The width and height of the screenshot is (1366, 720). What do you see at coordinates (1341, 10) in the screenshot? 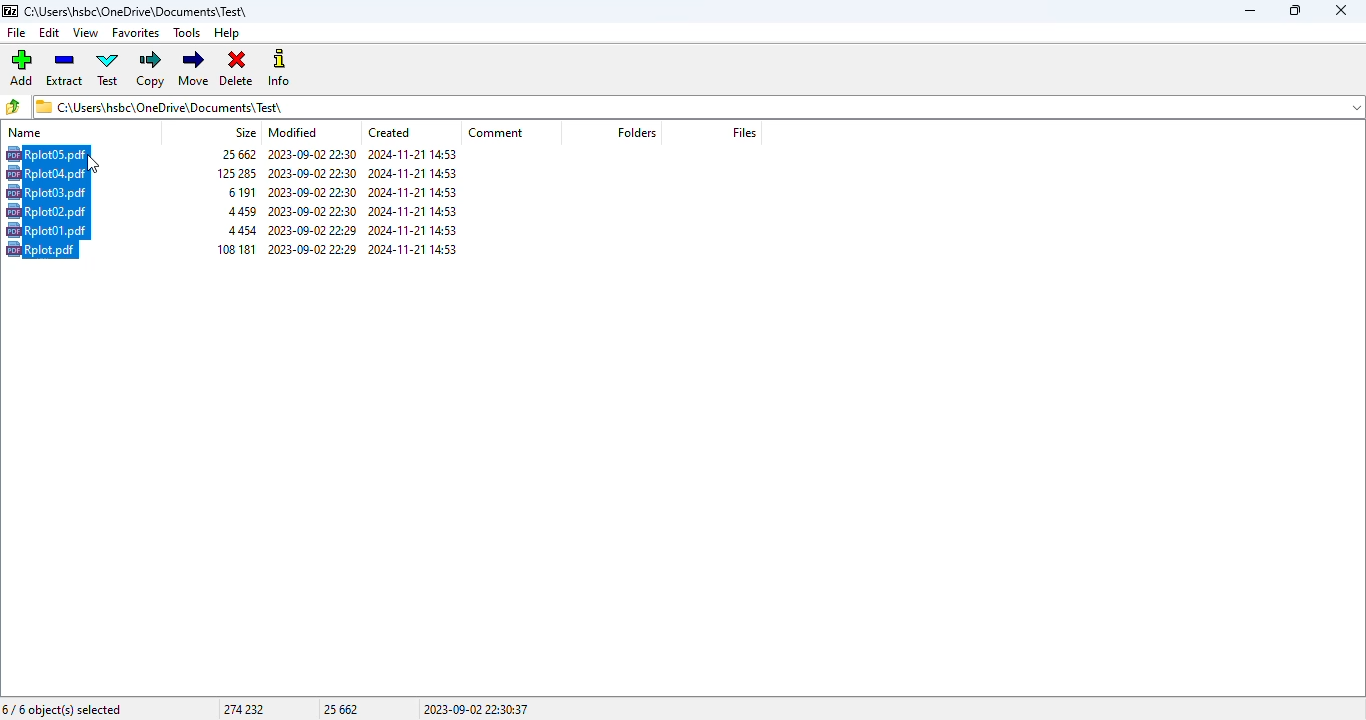
I see `close` at bounding box center [1341, 10].